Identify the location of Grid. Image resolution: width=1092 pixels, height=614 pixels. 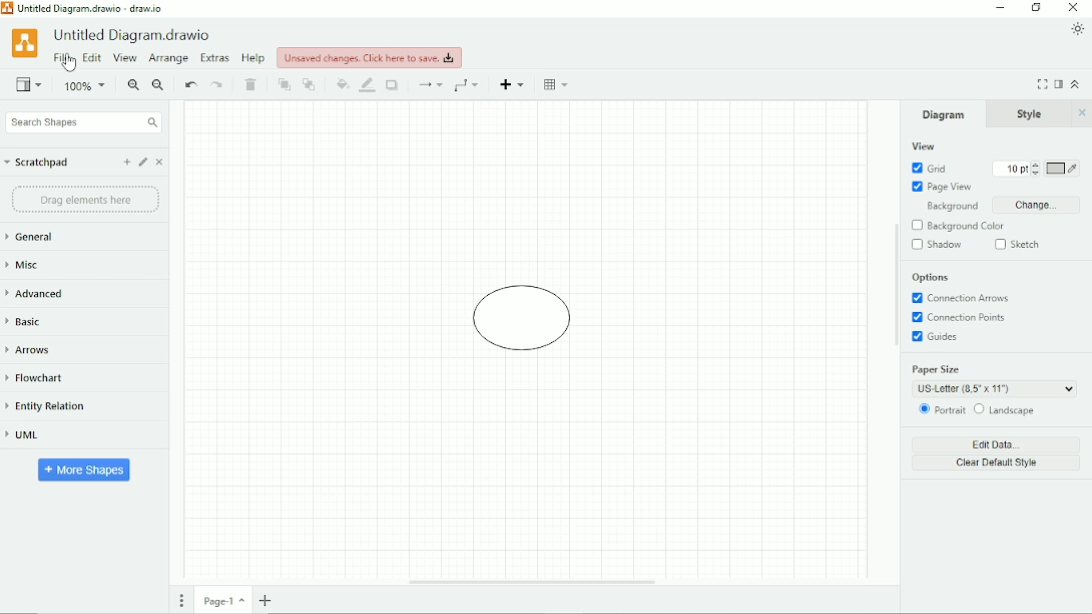
(930, 168).